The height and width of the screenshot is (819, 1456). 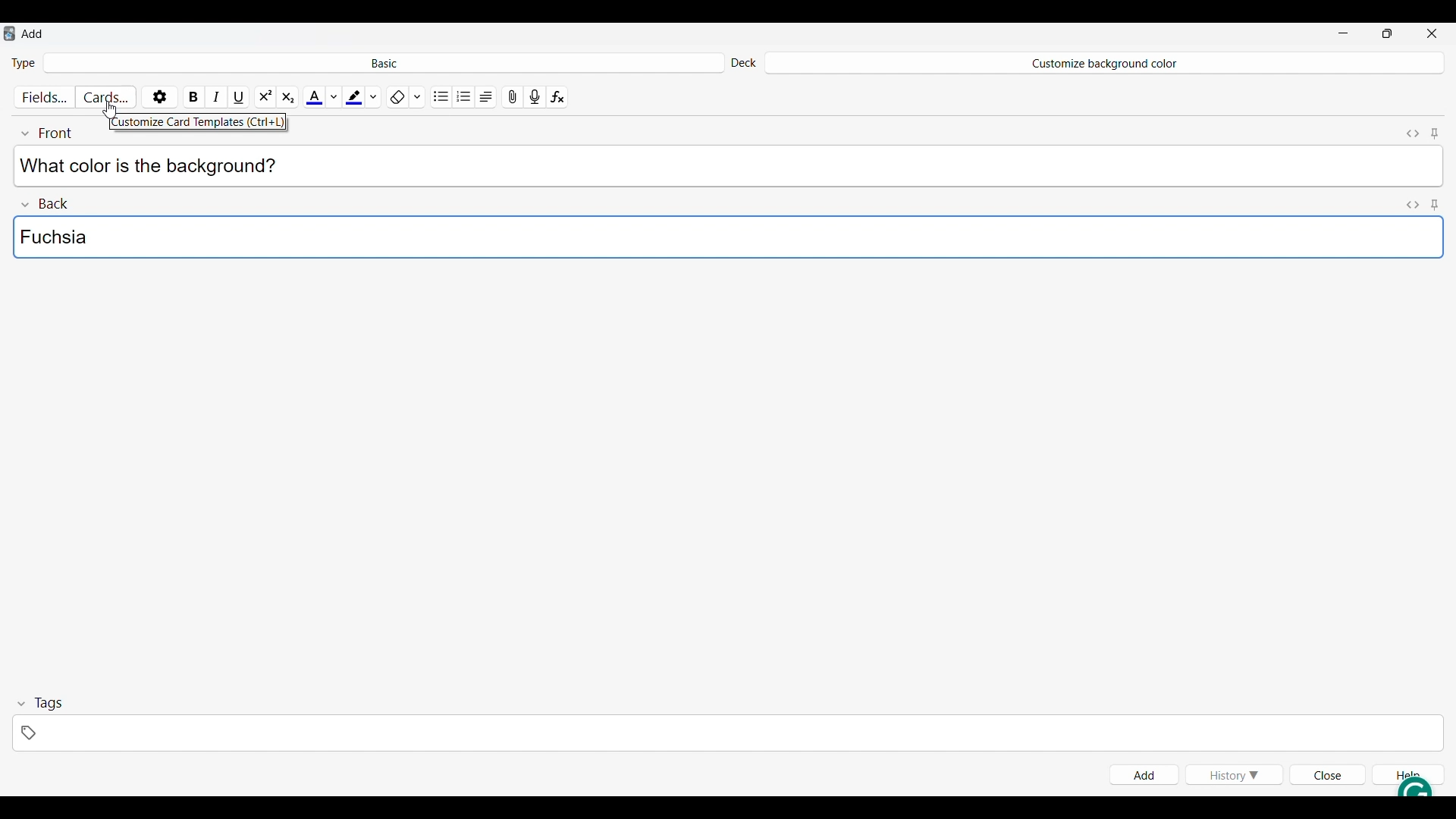 I want to click on Customize cards, so click(x=106, y=94).